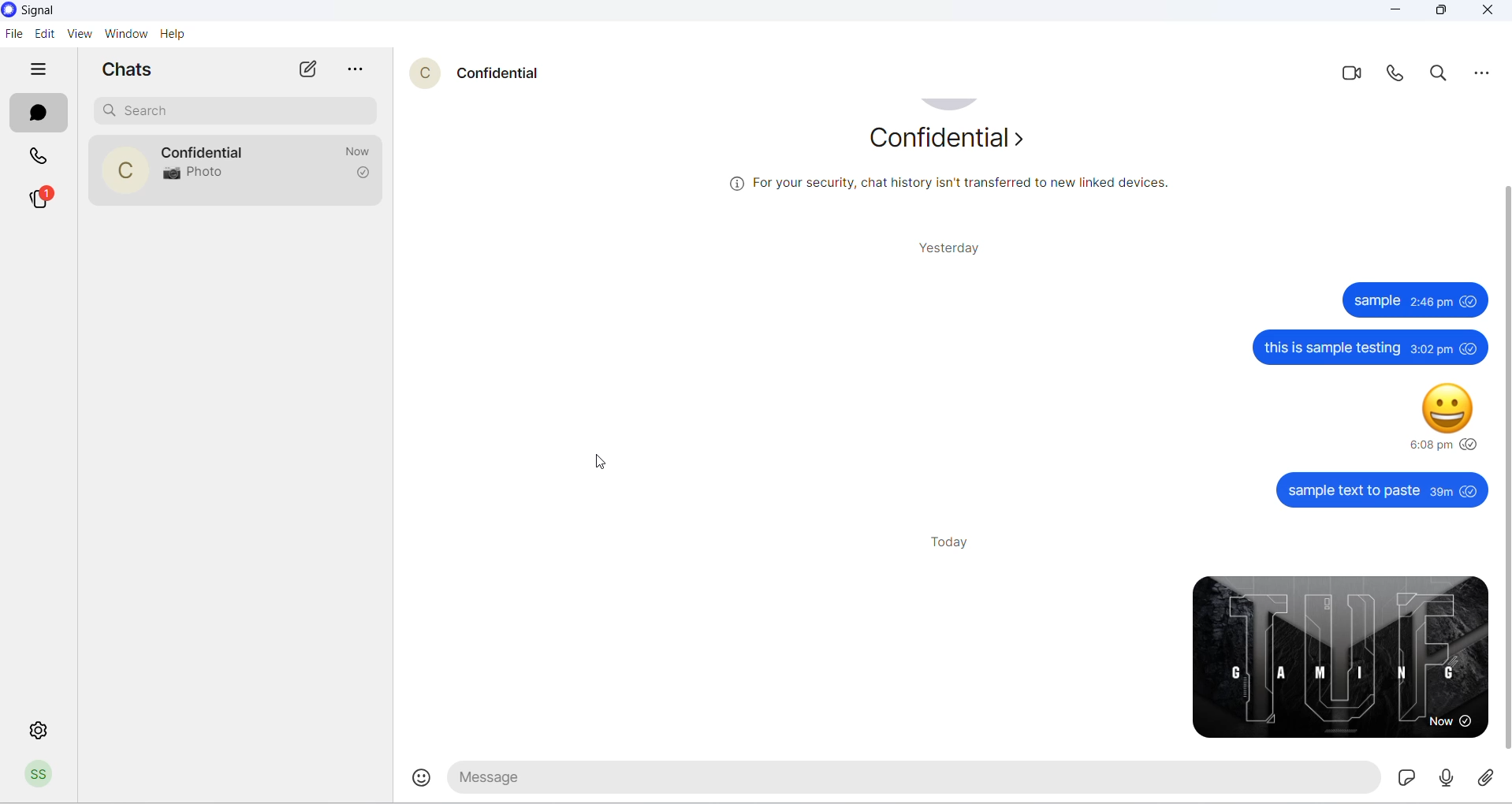 Image resolution: width=1512 pixels, height=804 pixels. I want to click on today heading, so click(952, 545).